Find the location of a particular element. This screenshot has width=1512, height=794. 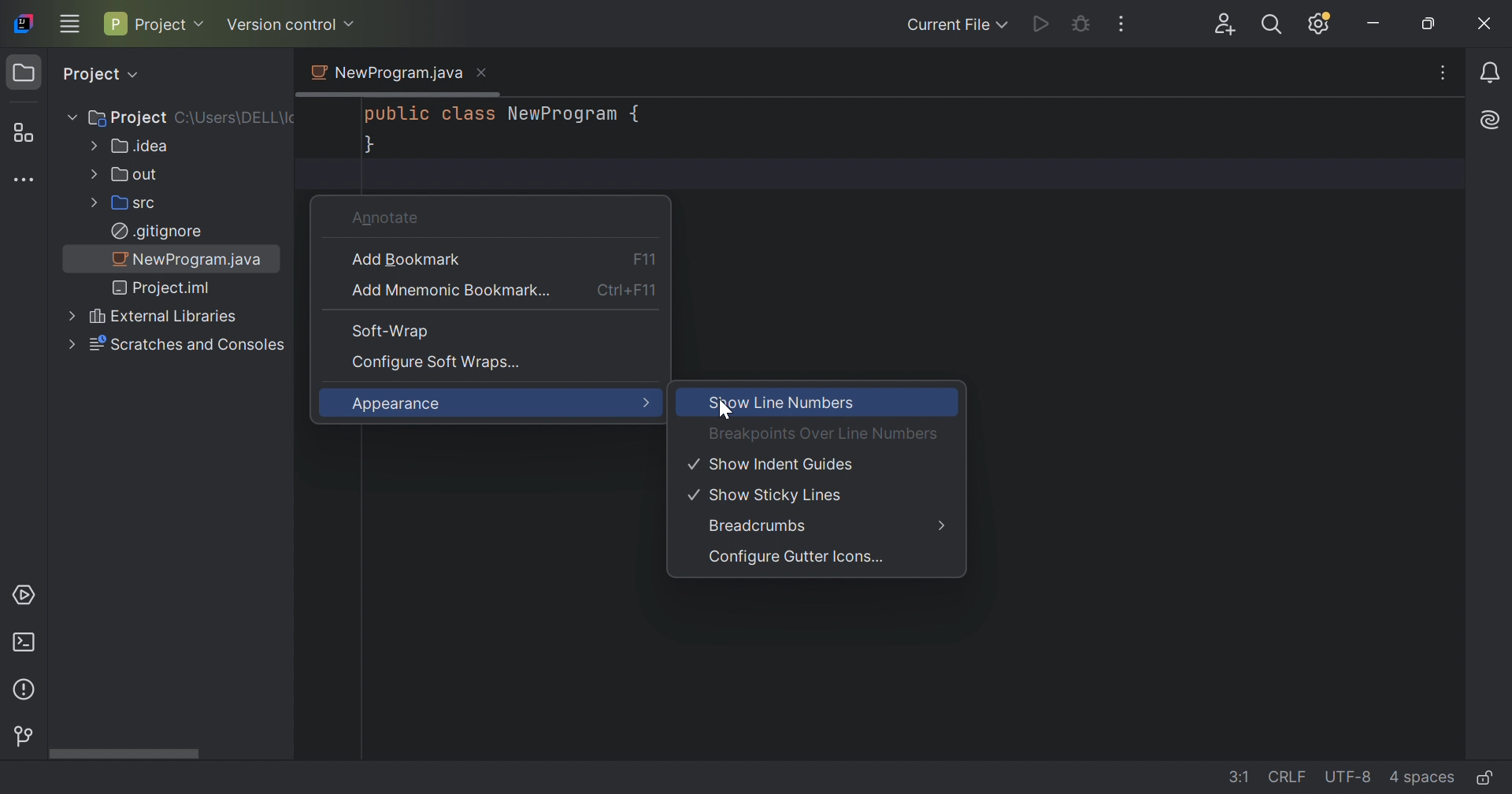

Soft-Wrap is located at coordinates (387, 331).